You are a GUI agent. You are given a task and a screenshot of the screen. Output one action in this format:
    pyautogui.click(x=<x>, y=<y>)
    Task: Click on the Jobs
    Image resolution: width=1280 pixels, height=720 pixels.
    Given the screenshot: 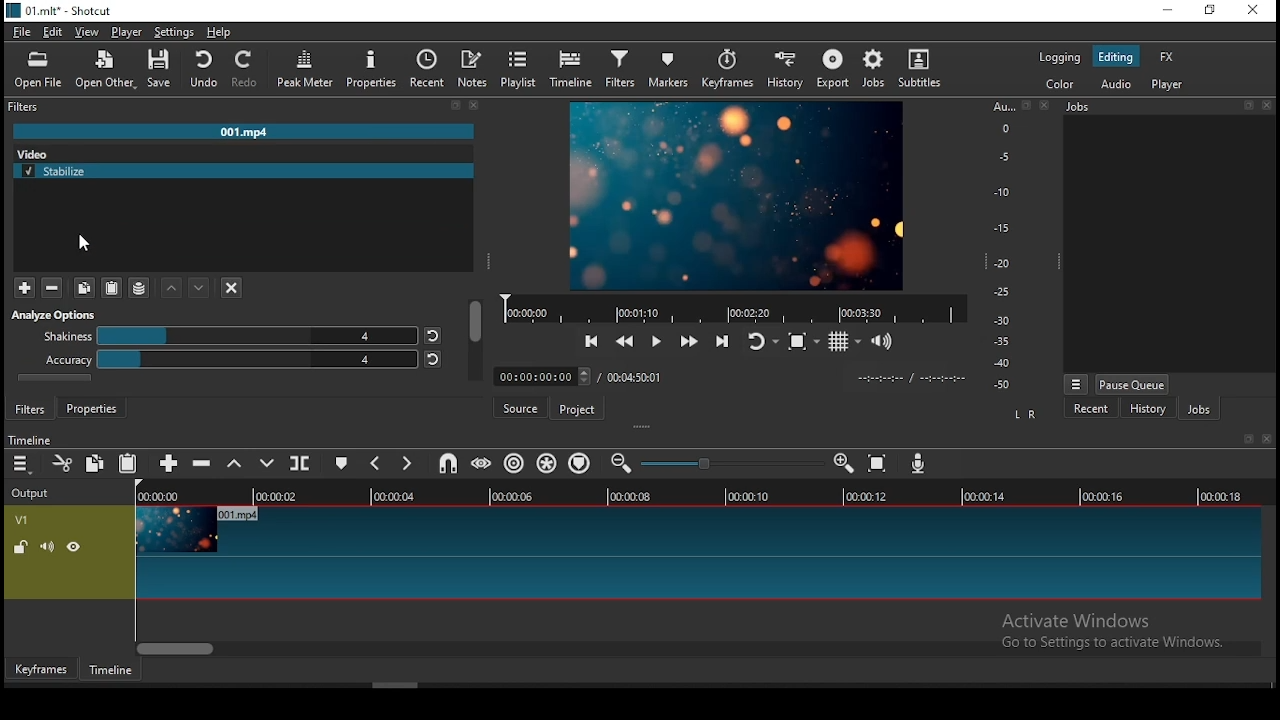 What is the action you would take?
    pyautogui.click(x=873, y=68)
    